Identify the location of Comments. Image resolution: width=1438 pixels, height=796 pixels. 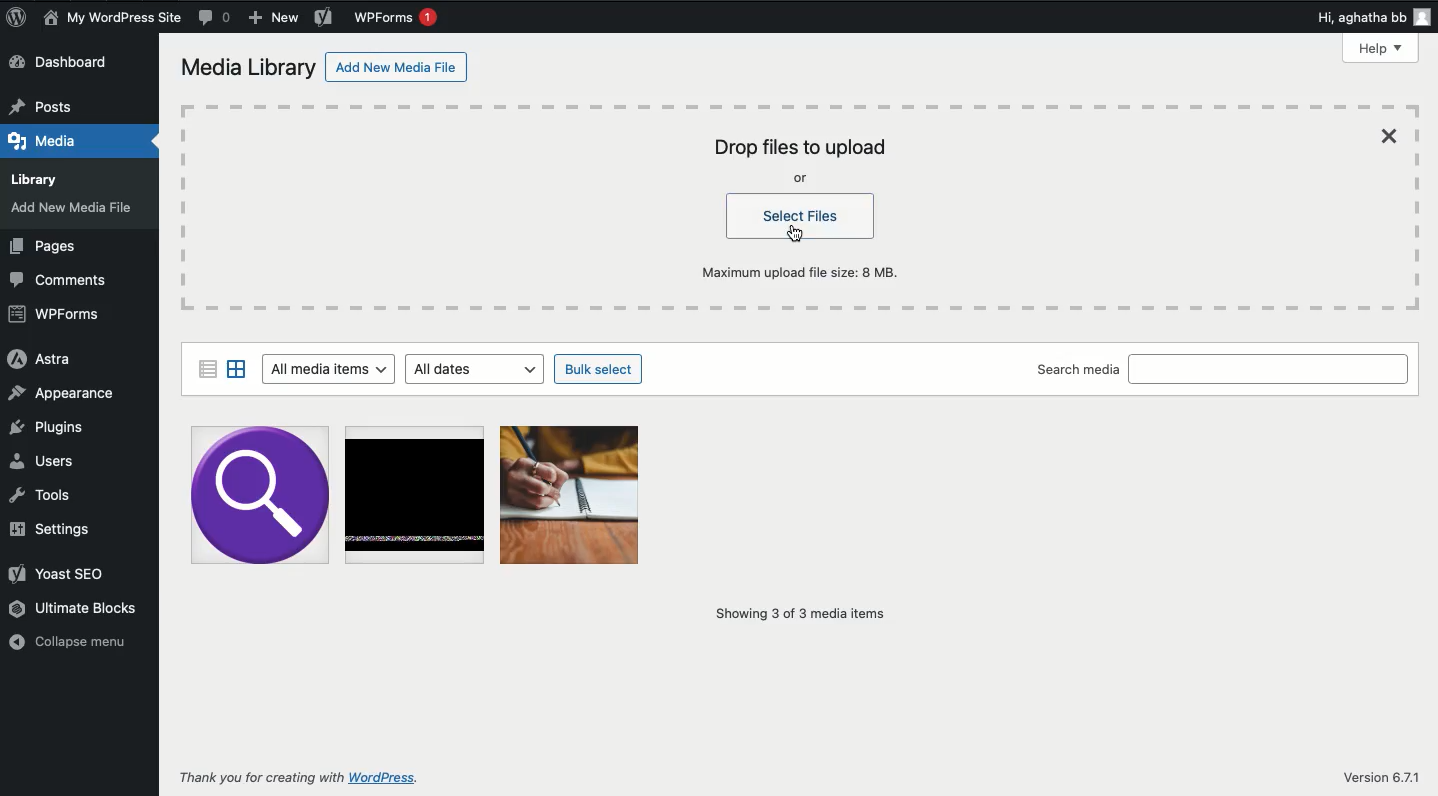
(66, 278).